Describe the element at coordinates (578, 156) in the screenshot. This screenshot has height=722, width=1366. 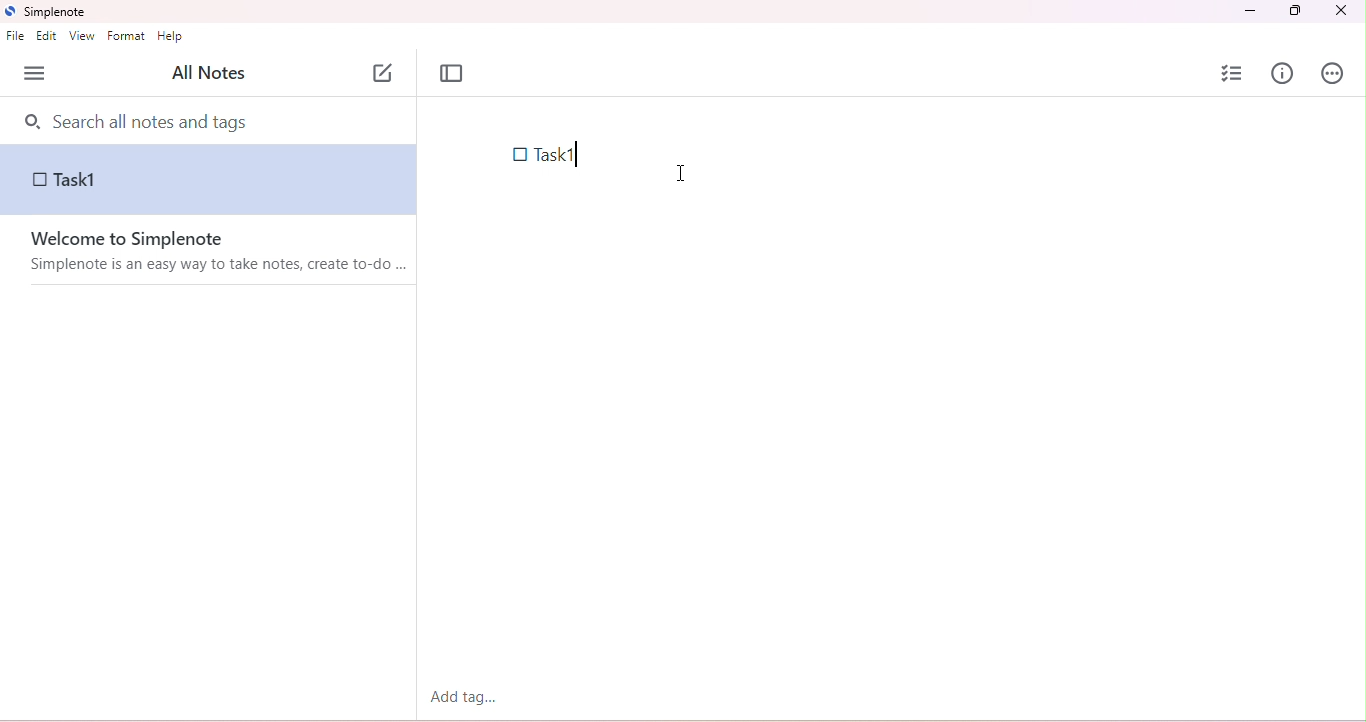
I see `typing cursor on task` at that location.